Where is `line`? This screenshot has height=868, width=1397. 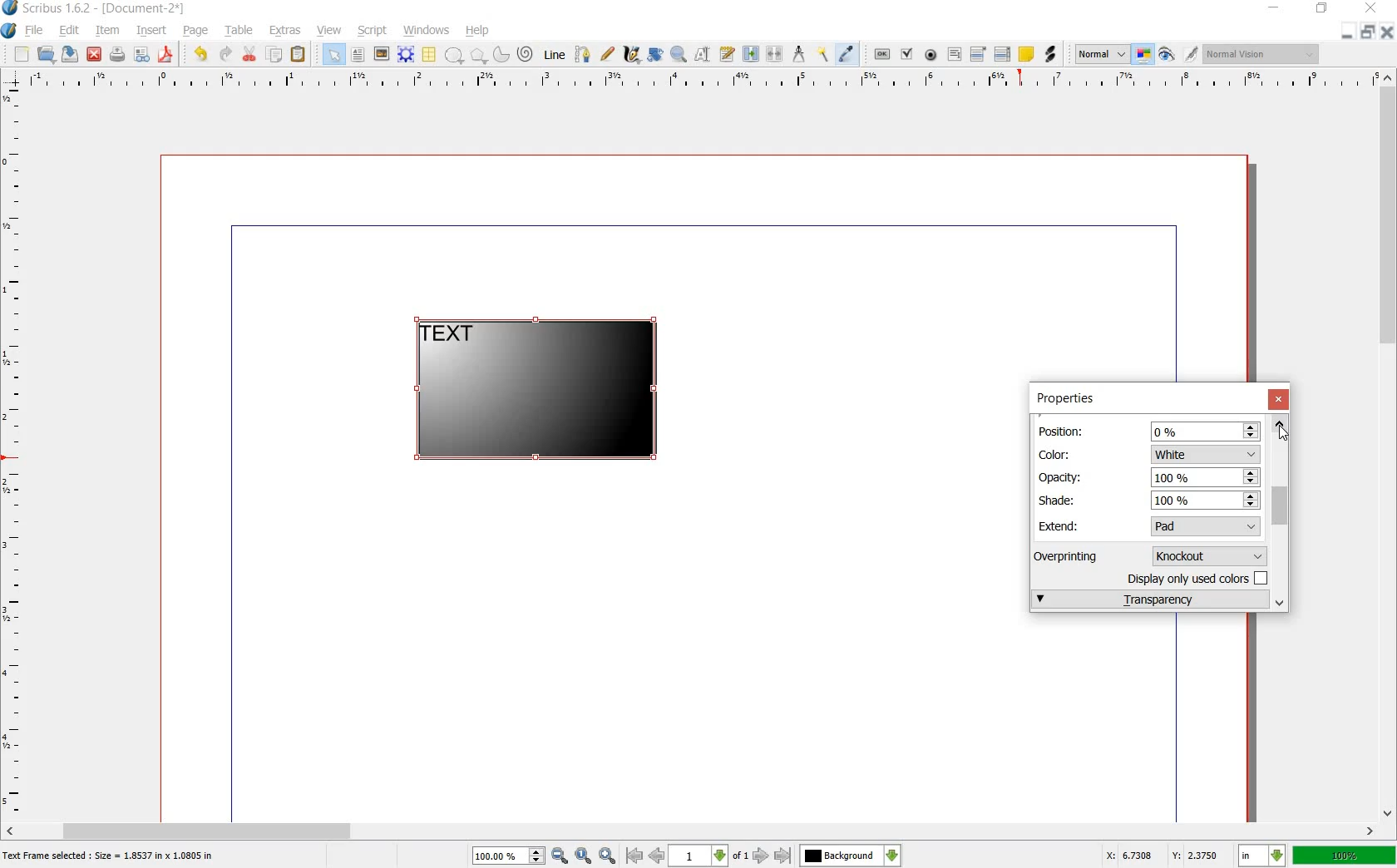 line is located at coordinates (556, 56).